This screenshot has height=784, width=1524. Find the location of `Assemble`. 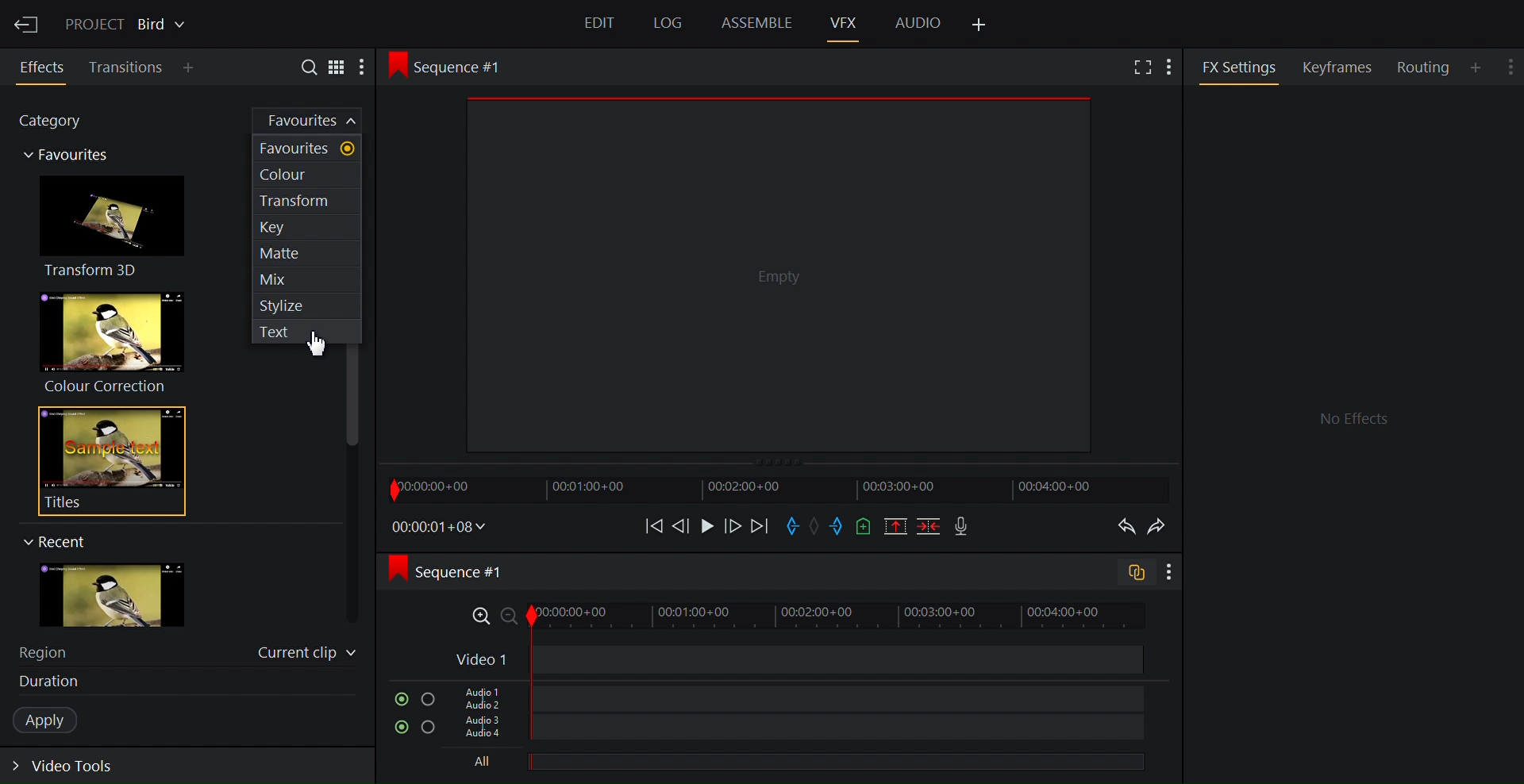

Assemble is located at coordinates (756, 23).